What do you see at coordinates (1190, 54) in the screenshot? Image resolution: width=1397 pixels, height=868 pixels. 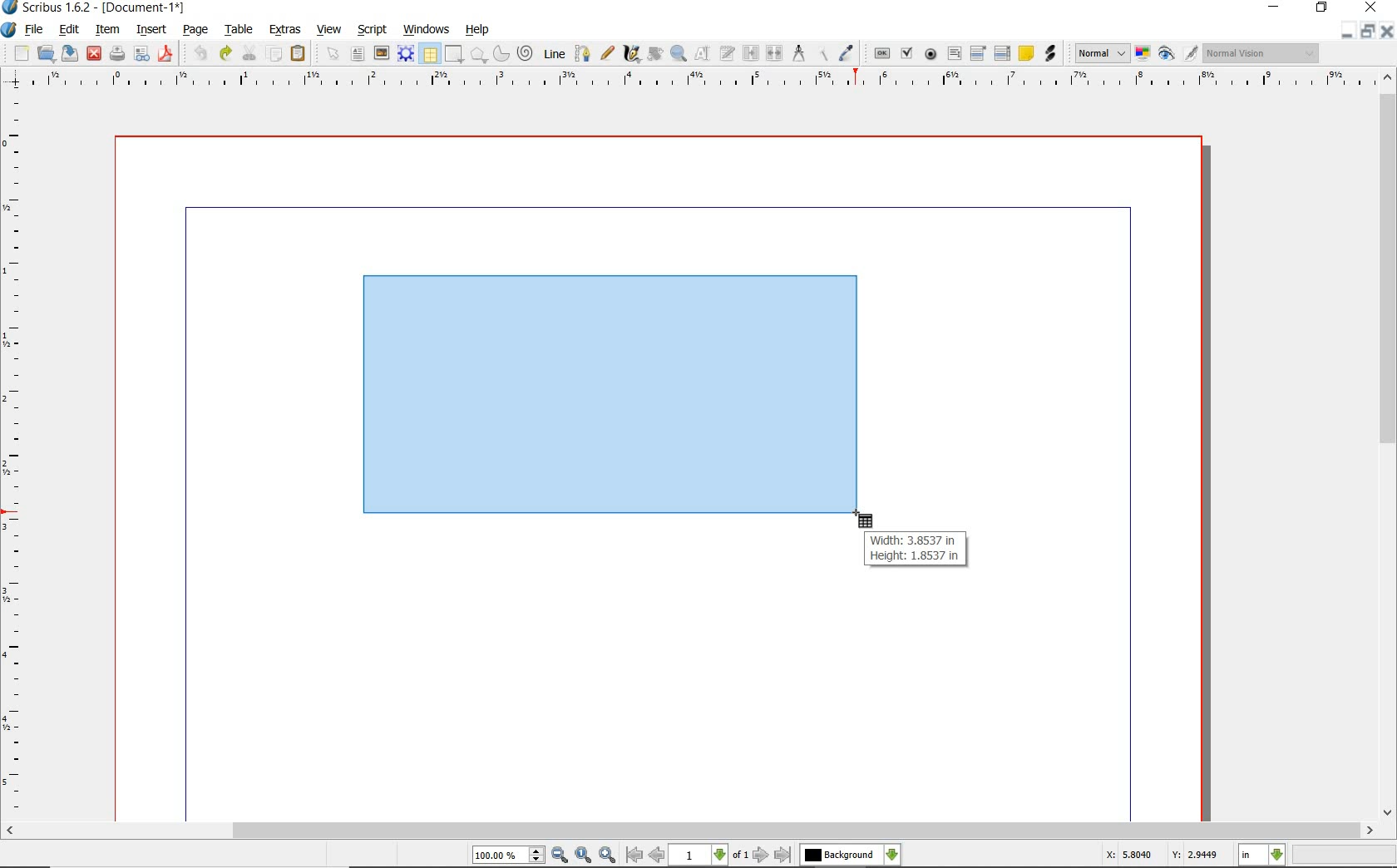 I see `edit in preview mode` at bounding box center [1190, 54].